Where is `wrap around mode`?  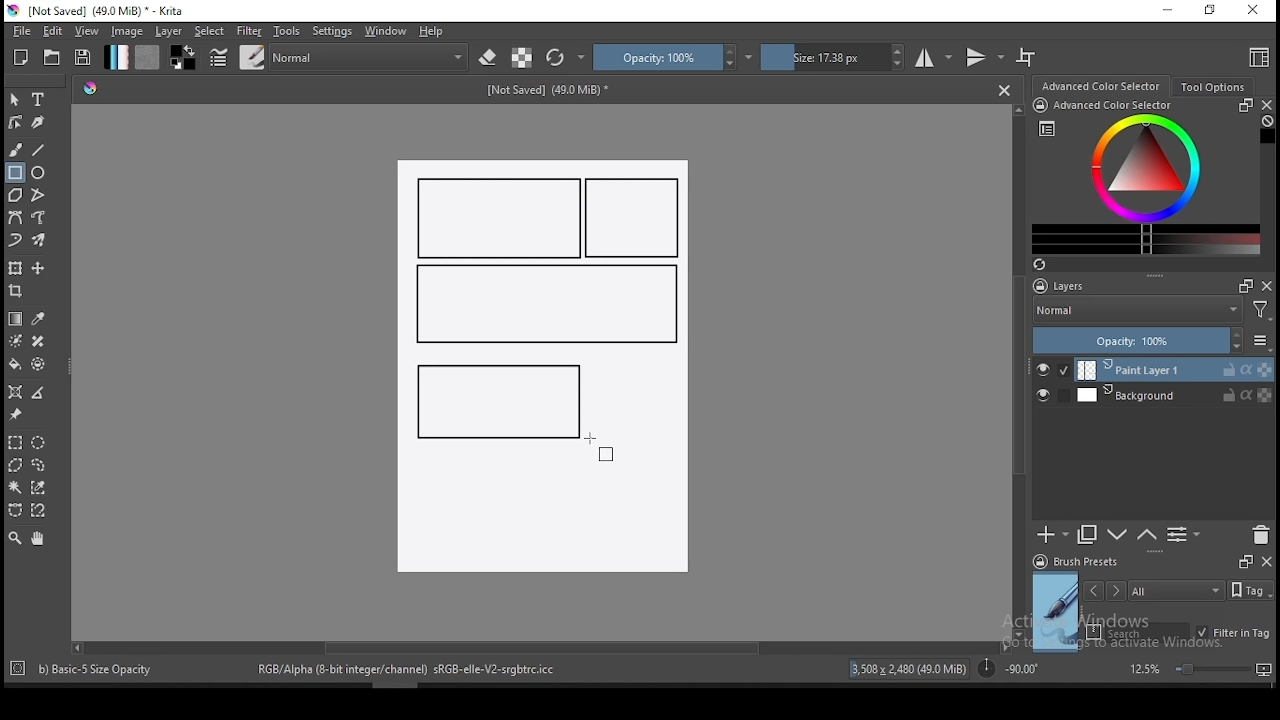 wrap around mode is located at coordinates (1027, 57).